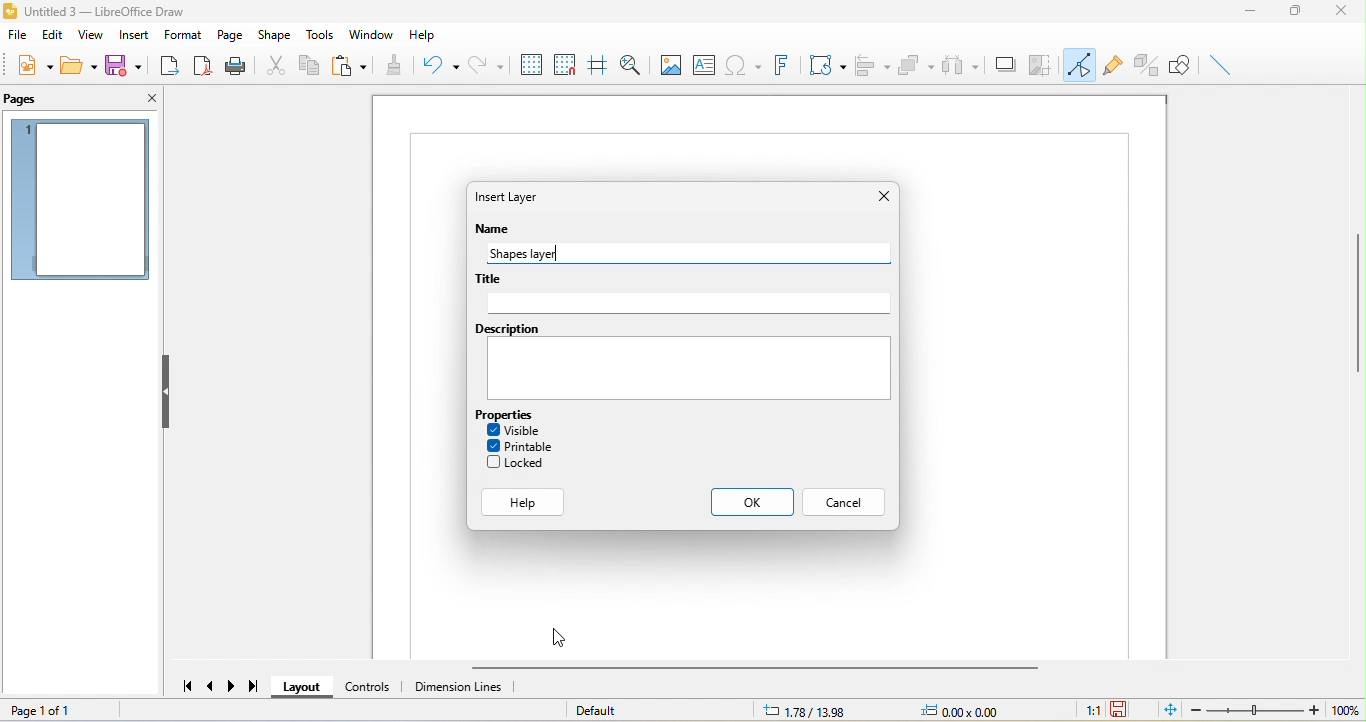  Describe the element at coordinates (1127, 710) in the screenshot. I see `the document has not been modified since the last save` at that location.